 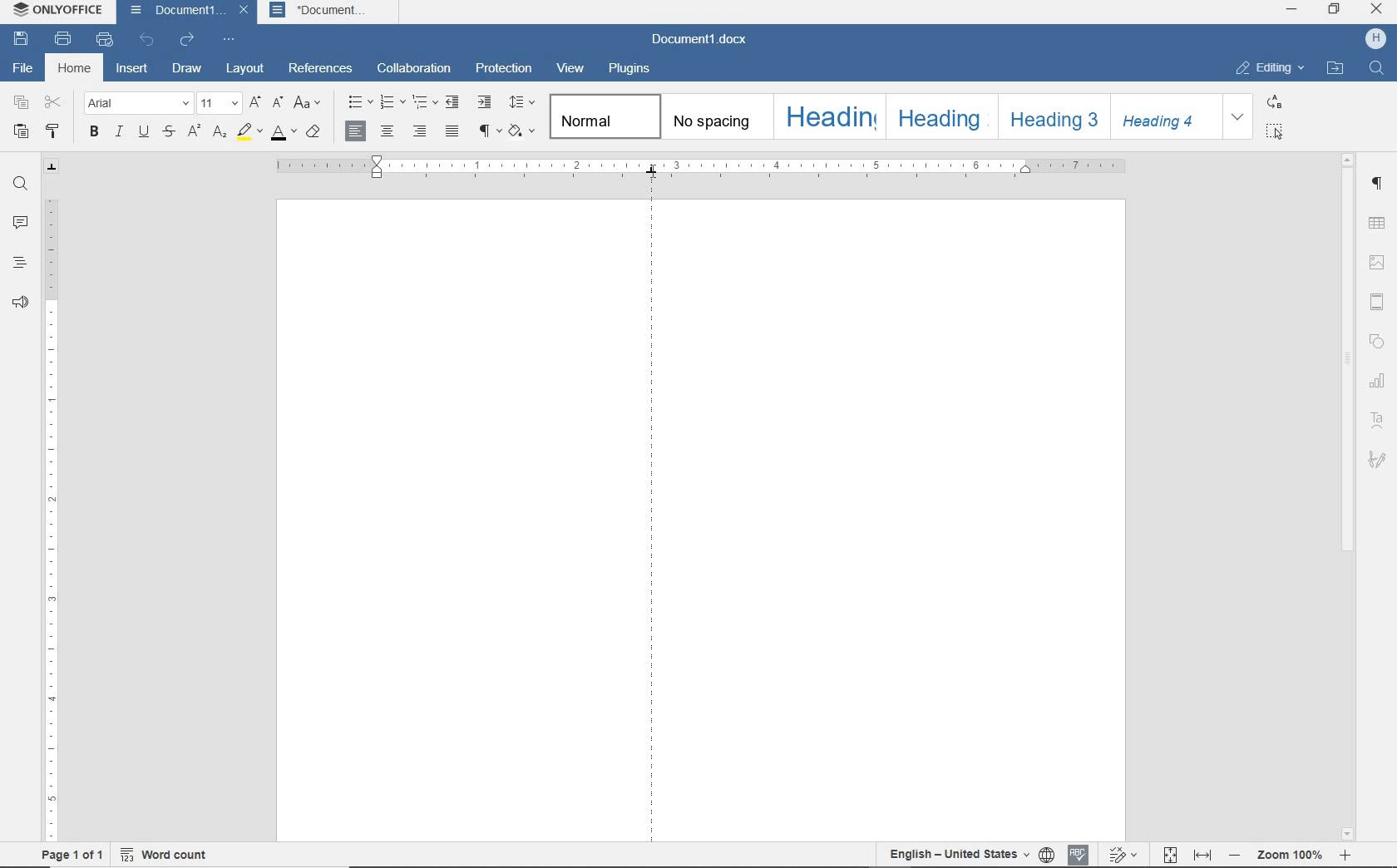 What do you see at coordinates (18, 262) in the screenshot?
I see `HEADINGS` at bounding box center [18, 262].